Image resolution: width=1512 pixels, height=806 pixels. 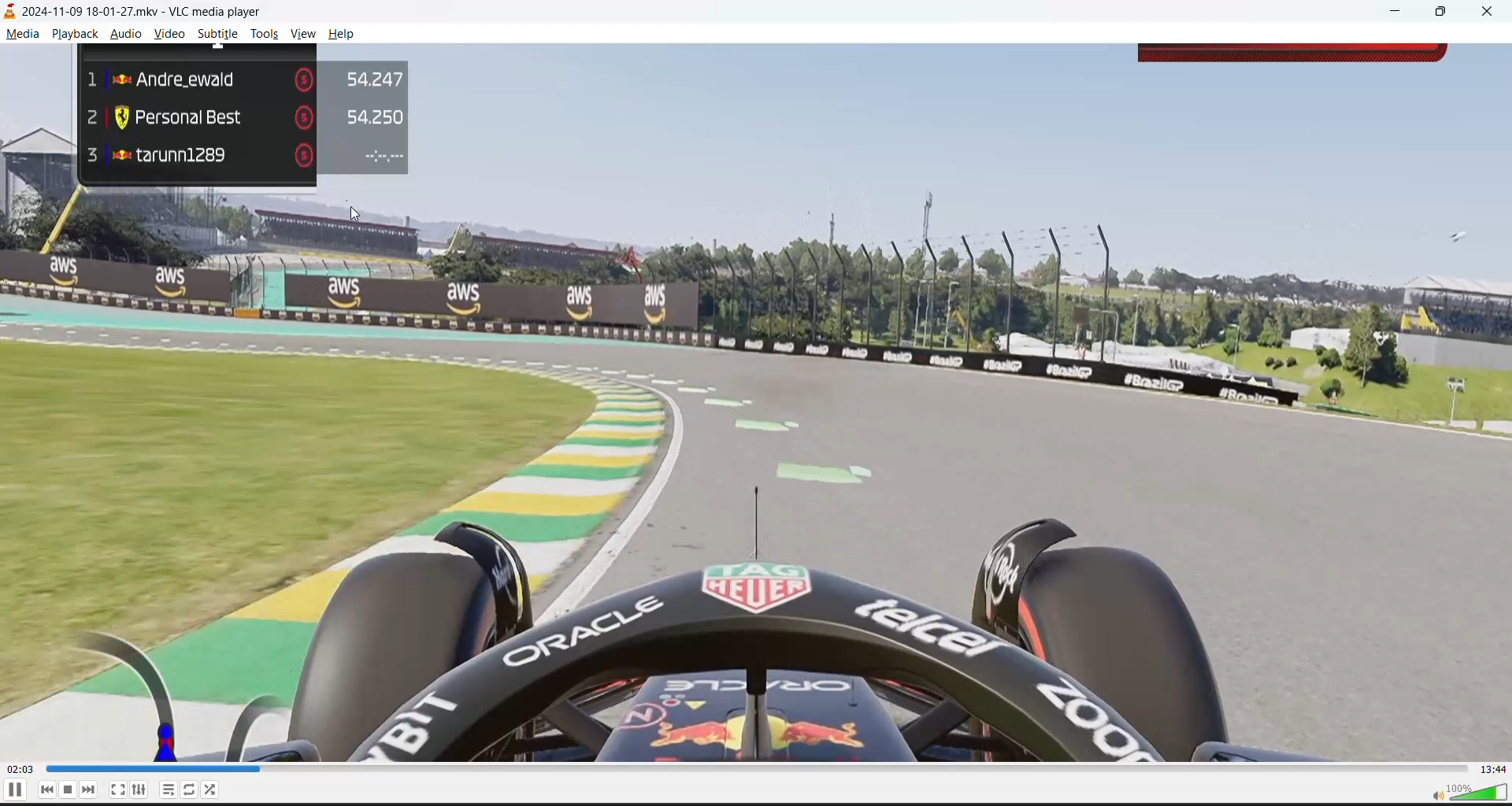 I want to click on view, so click(x=306, y=35).